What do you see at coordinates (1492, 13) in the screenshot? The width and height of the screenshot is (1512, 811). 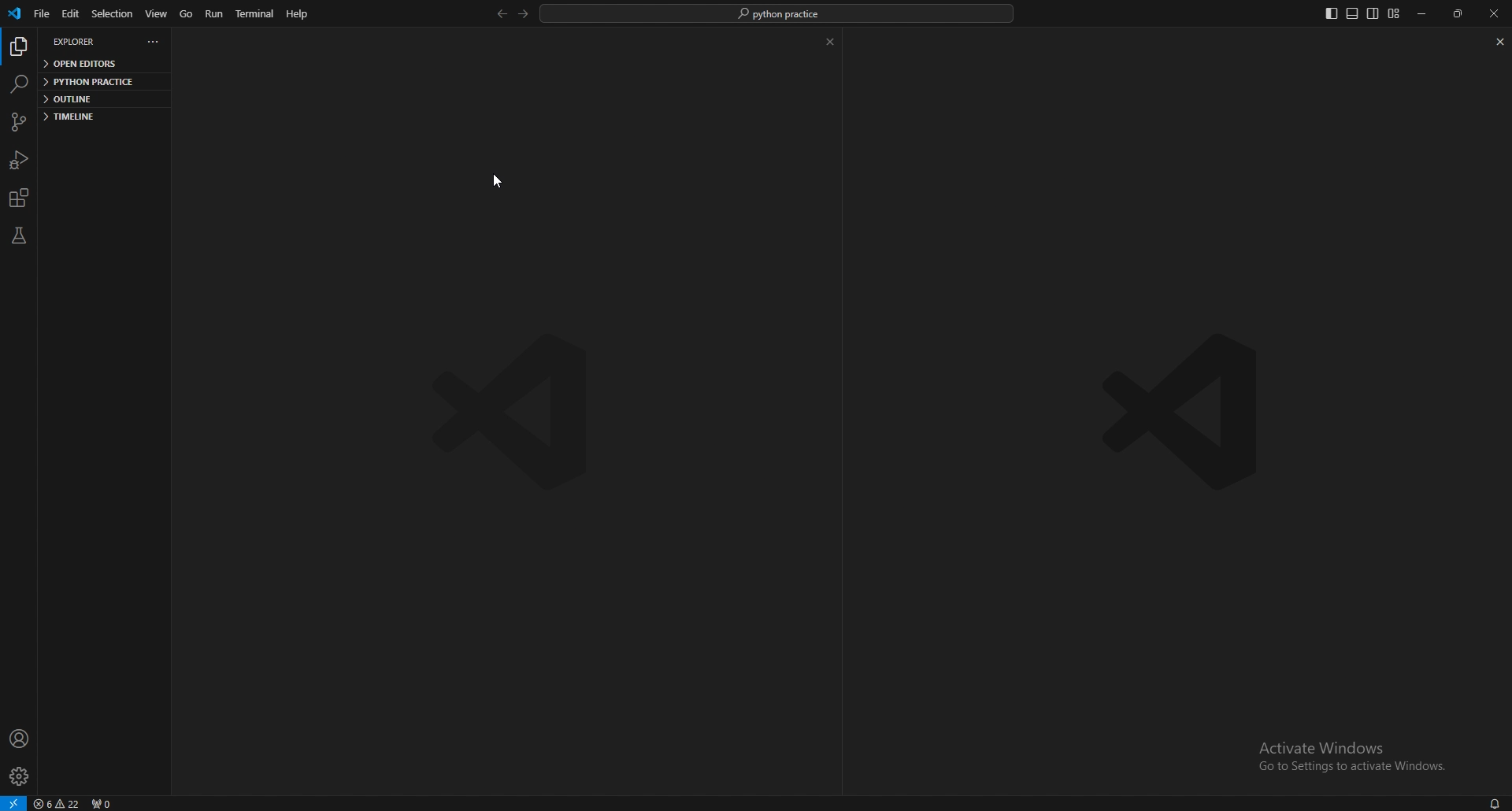 I see `close` at bounding box center [1492, 13].